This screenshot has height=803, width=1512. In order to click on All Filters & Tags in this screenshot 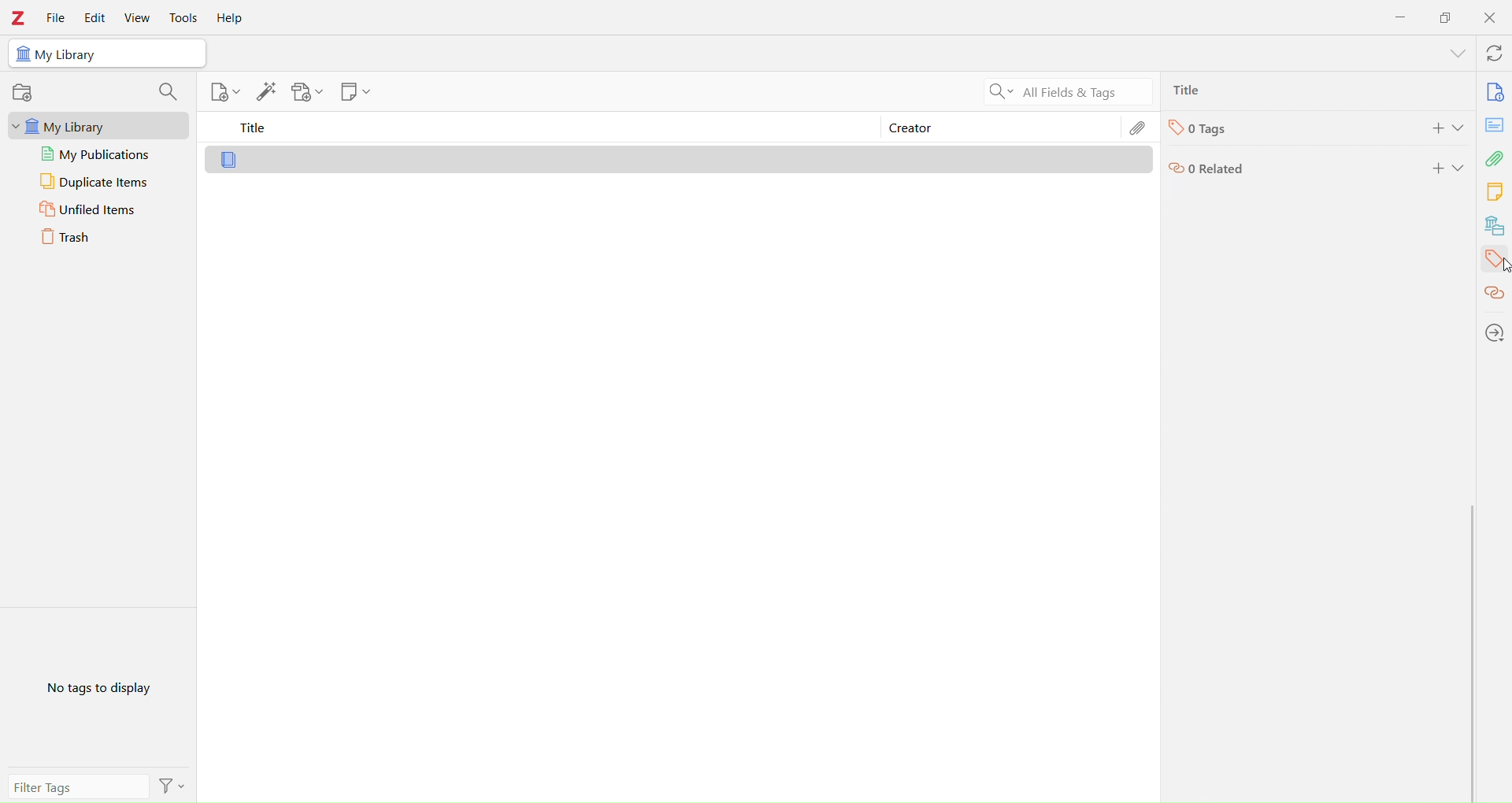, I will do `click(1065, 94)`.